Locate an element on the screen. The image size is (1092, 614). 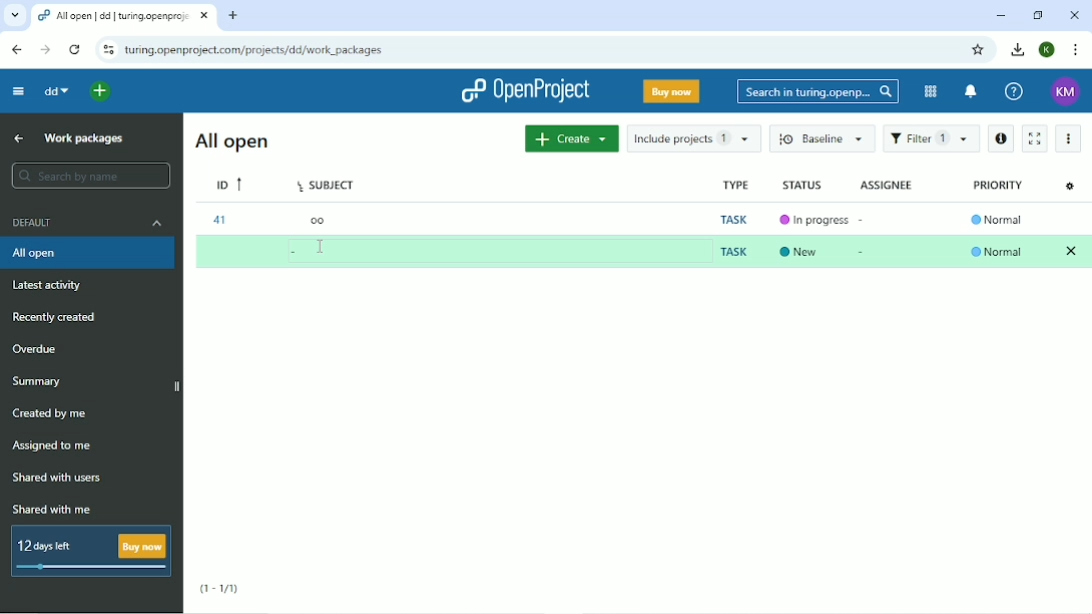
Shared with me is located at coordinates (51, 510).